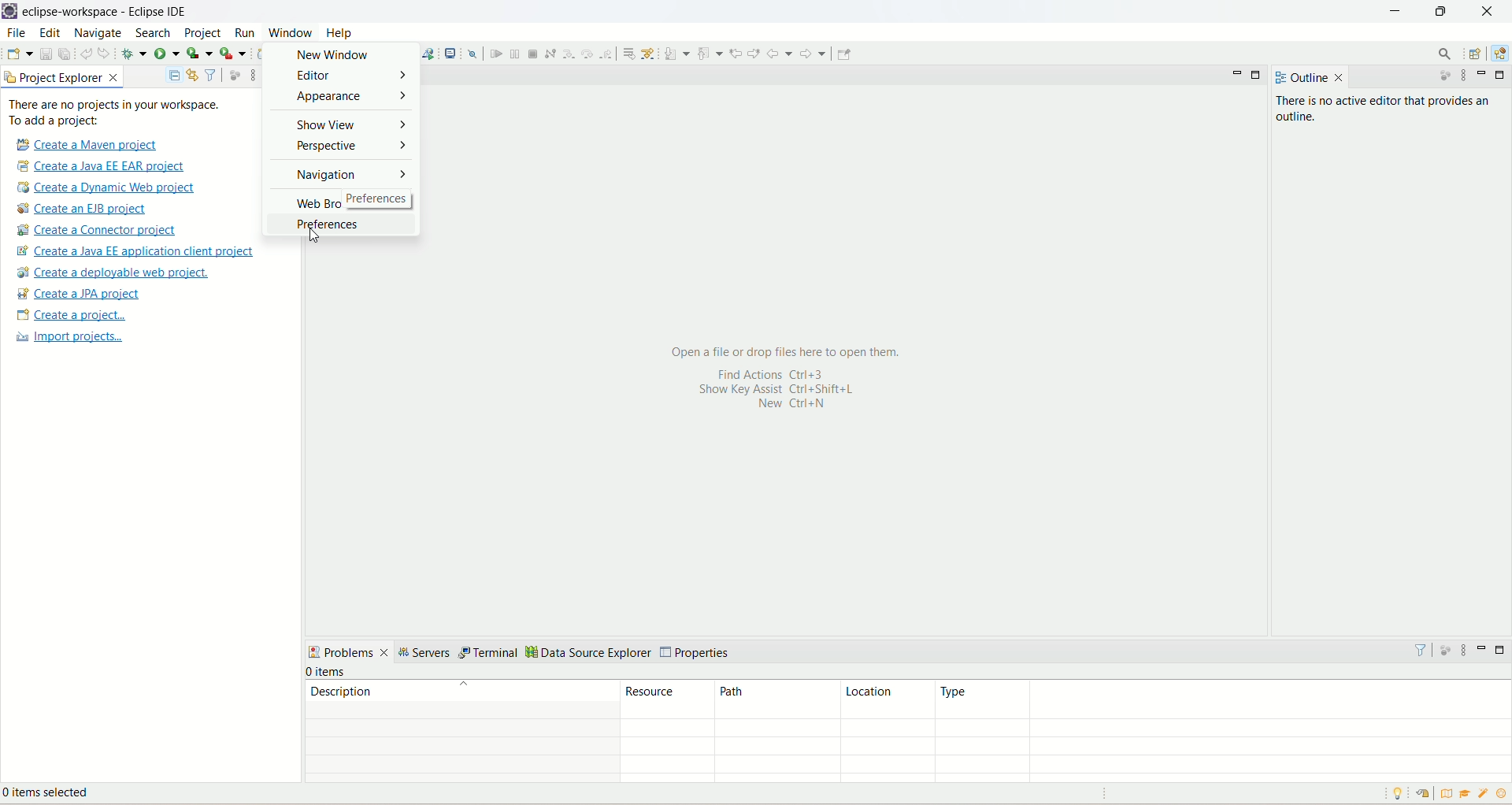  What do you see at coordinates (57, 795) in the screenshot?
I see `0 items selected` at bounding box center [57, 795].